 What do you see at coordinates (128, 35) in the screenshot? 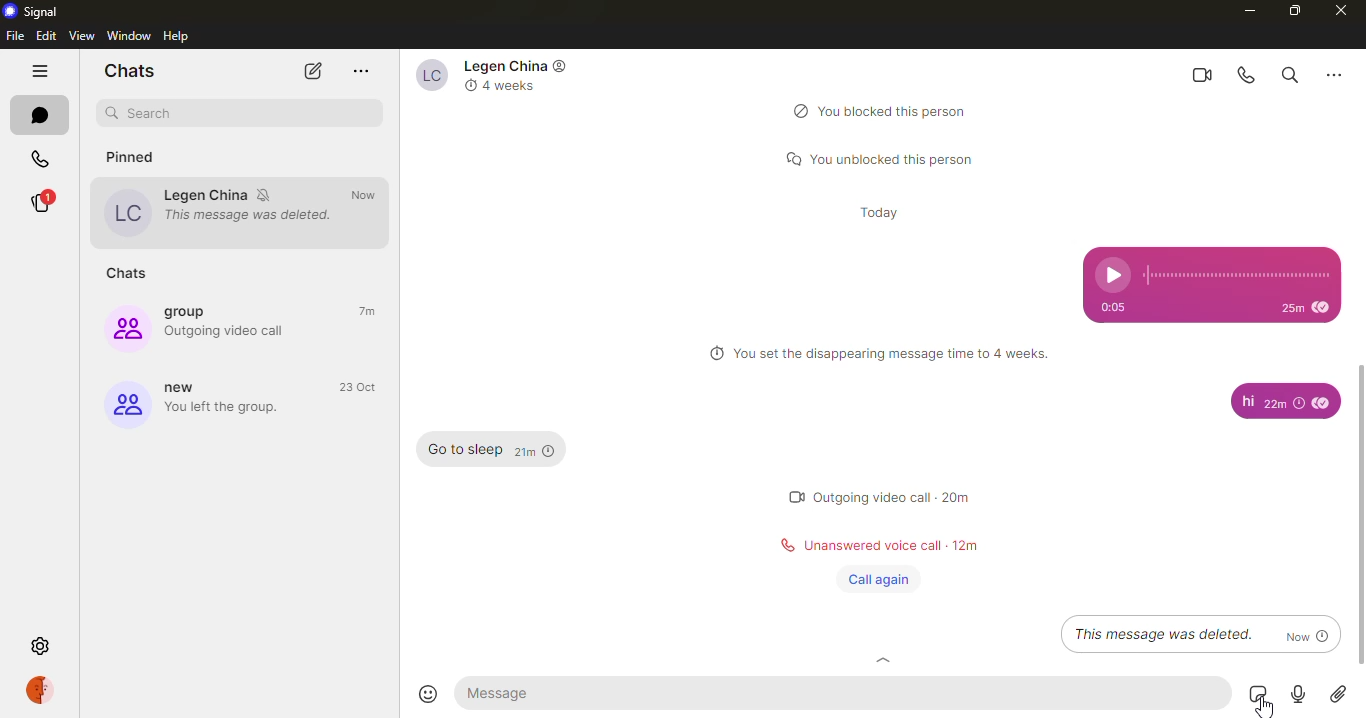
I see `window` at bounding box center [128, 35].